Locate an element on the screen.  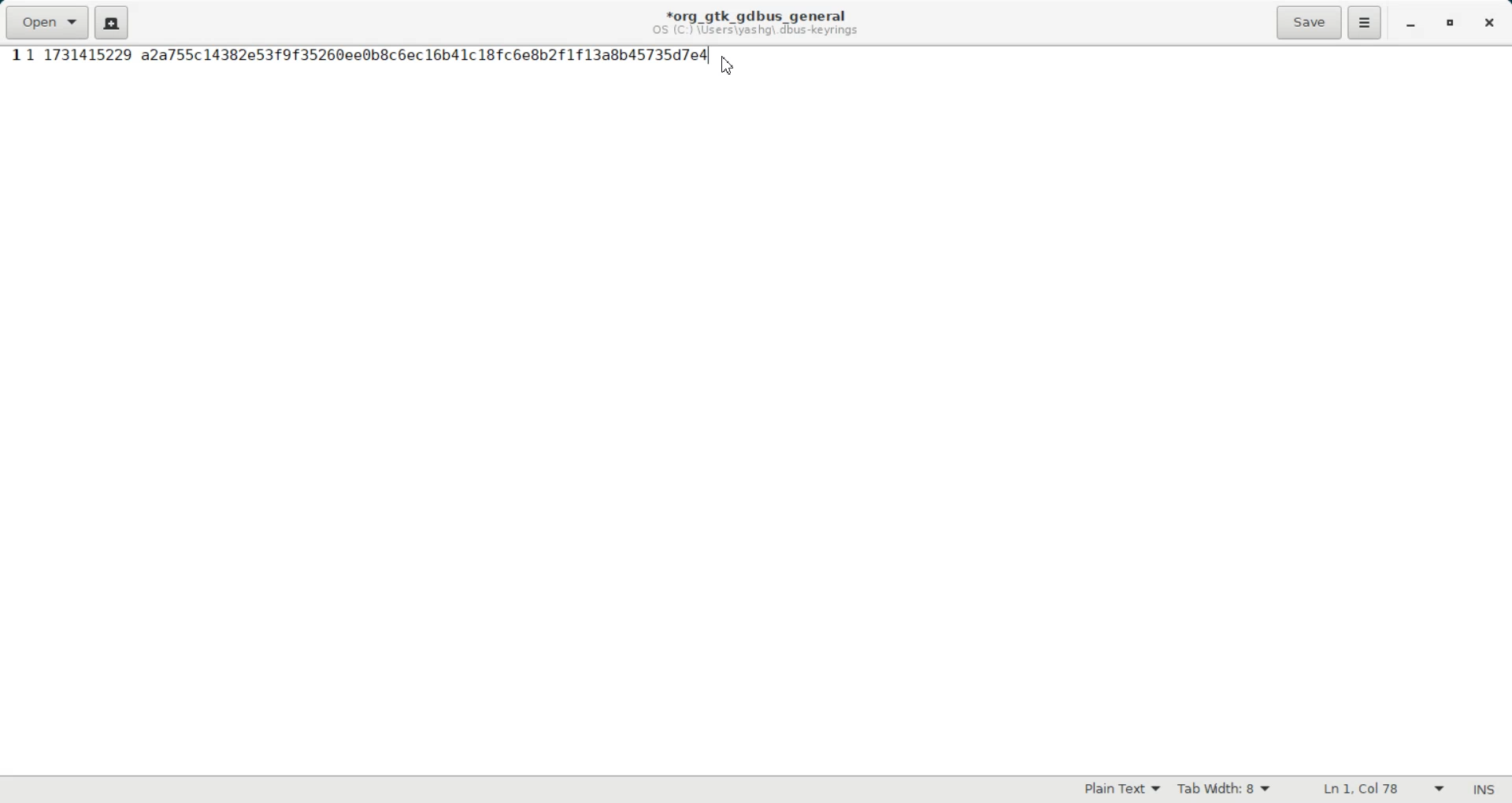
Tab width is located at coordinates (1225, 790).